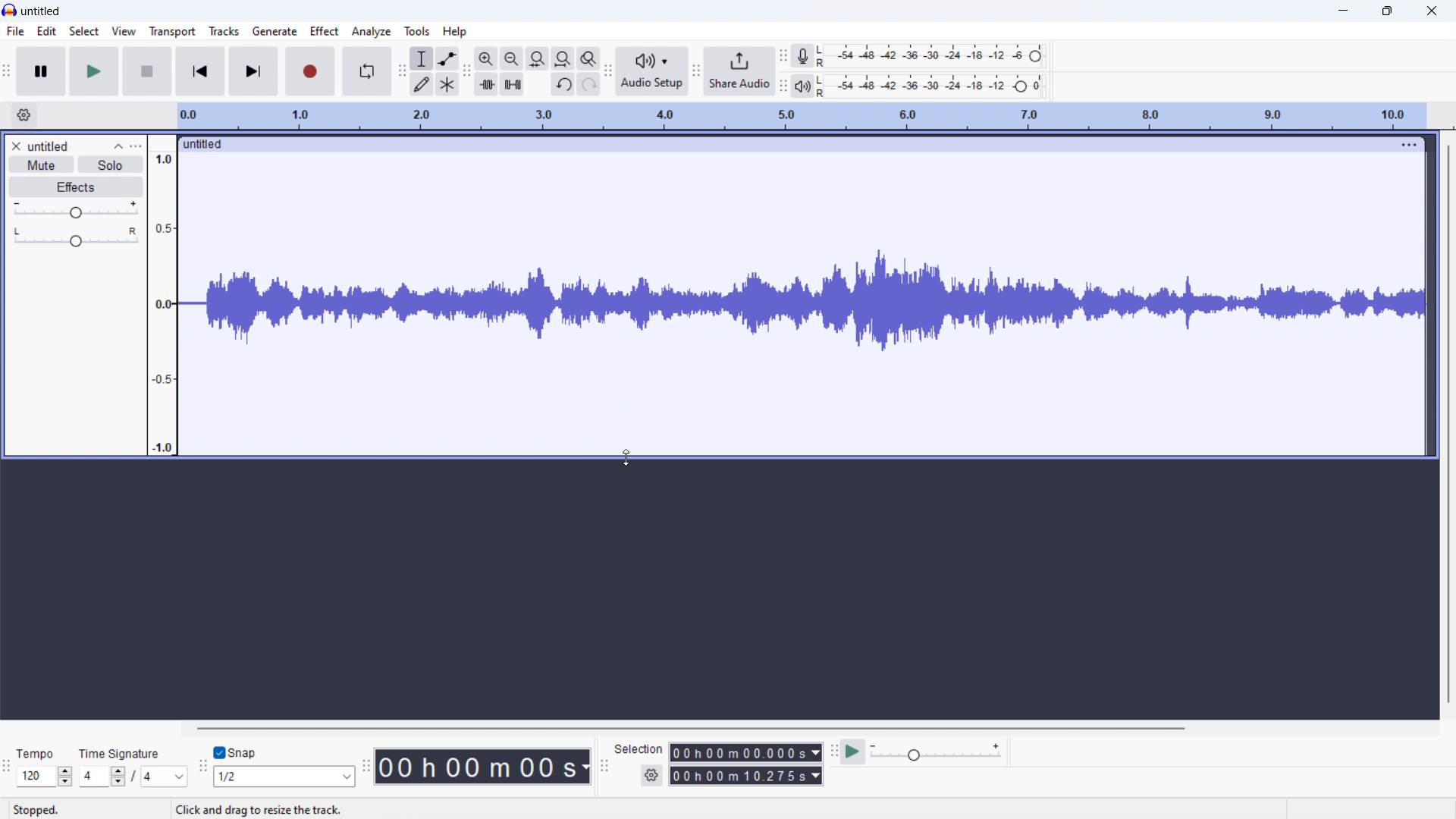 The height and width of the screenshot is (819, 1456). Describe the element at coordinates (1340, 11) in the screenshot. I see `minimize` at that location.